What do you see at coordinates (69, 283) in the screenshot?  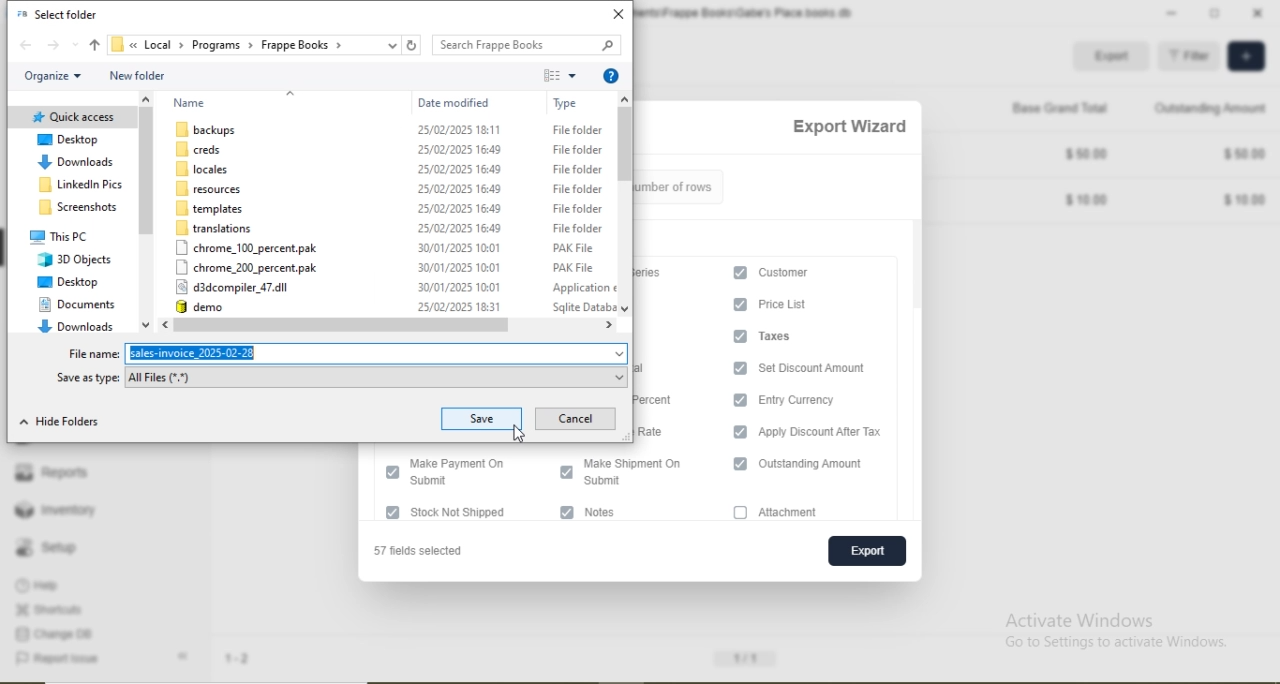 I see `Desktop` at bounding box center [69, 283].